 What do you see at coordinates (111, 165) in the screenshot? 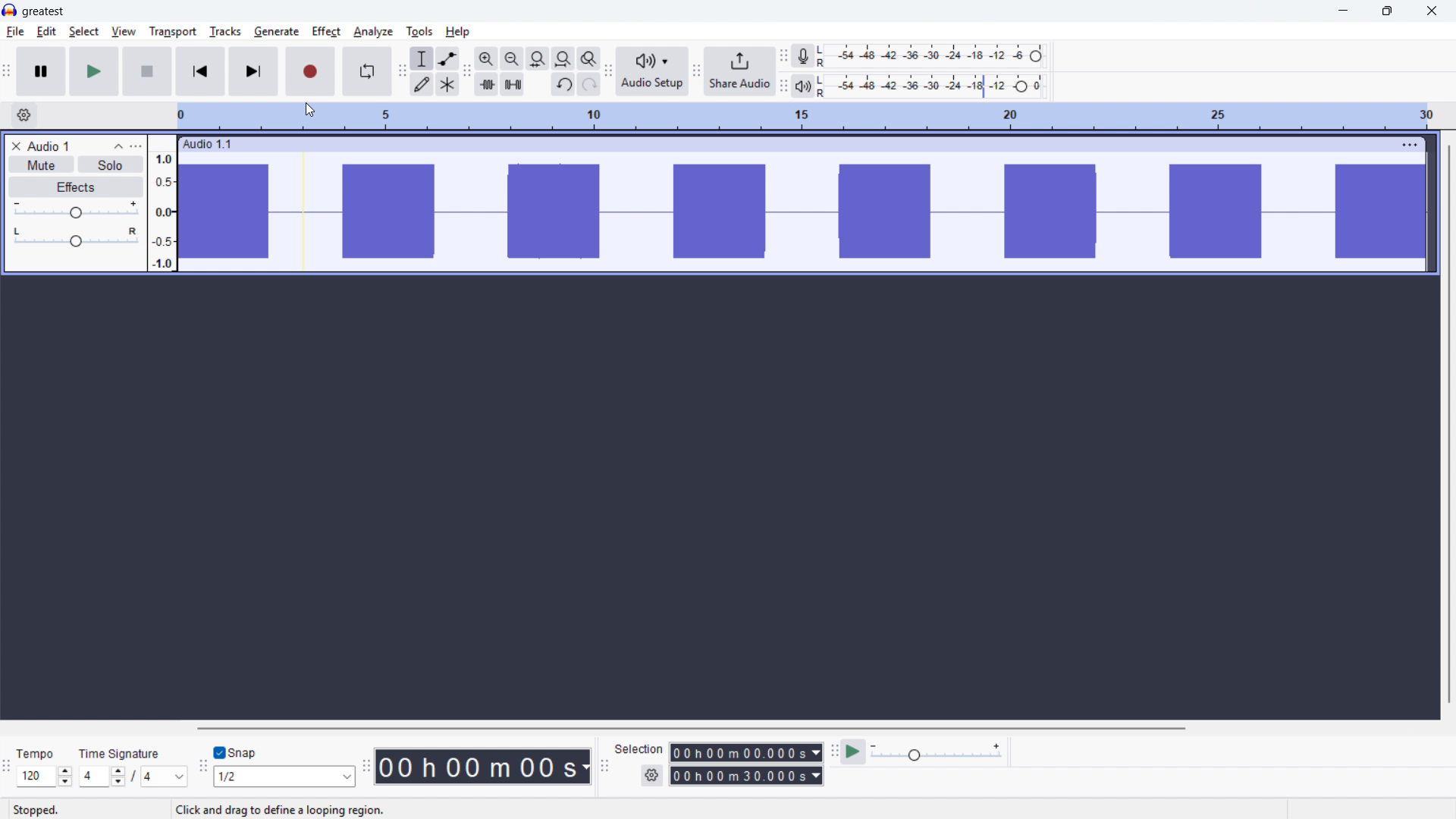
I see `Solo ` at bounding box center [111, 165].